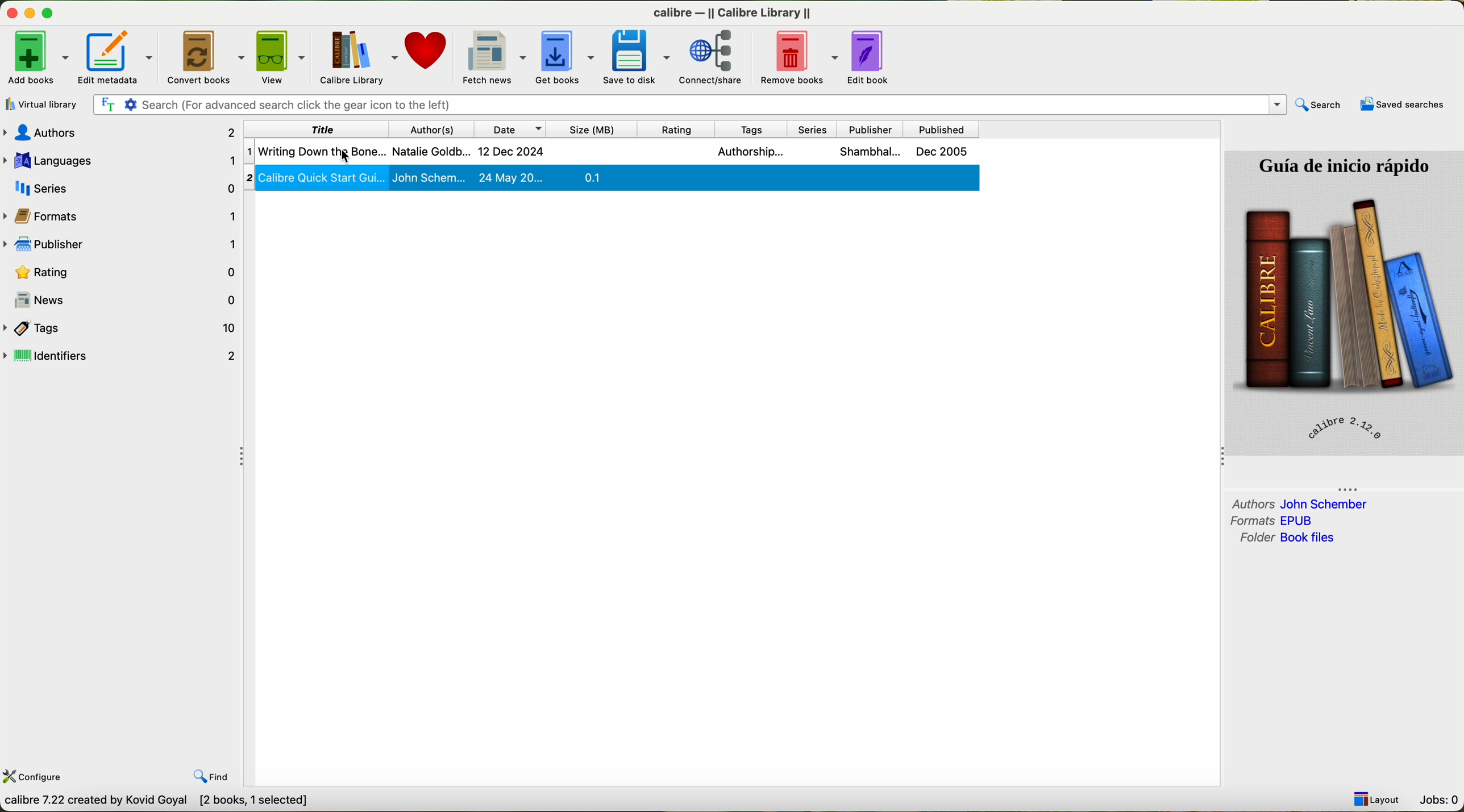  Describe the element at coordinates (123, 188) in the screenshot. I see `series` at that location.